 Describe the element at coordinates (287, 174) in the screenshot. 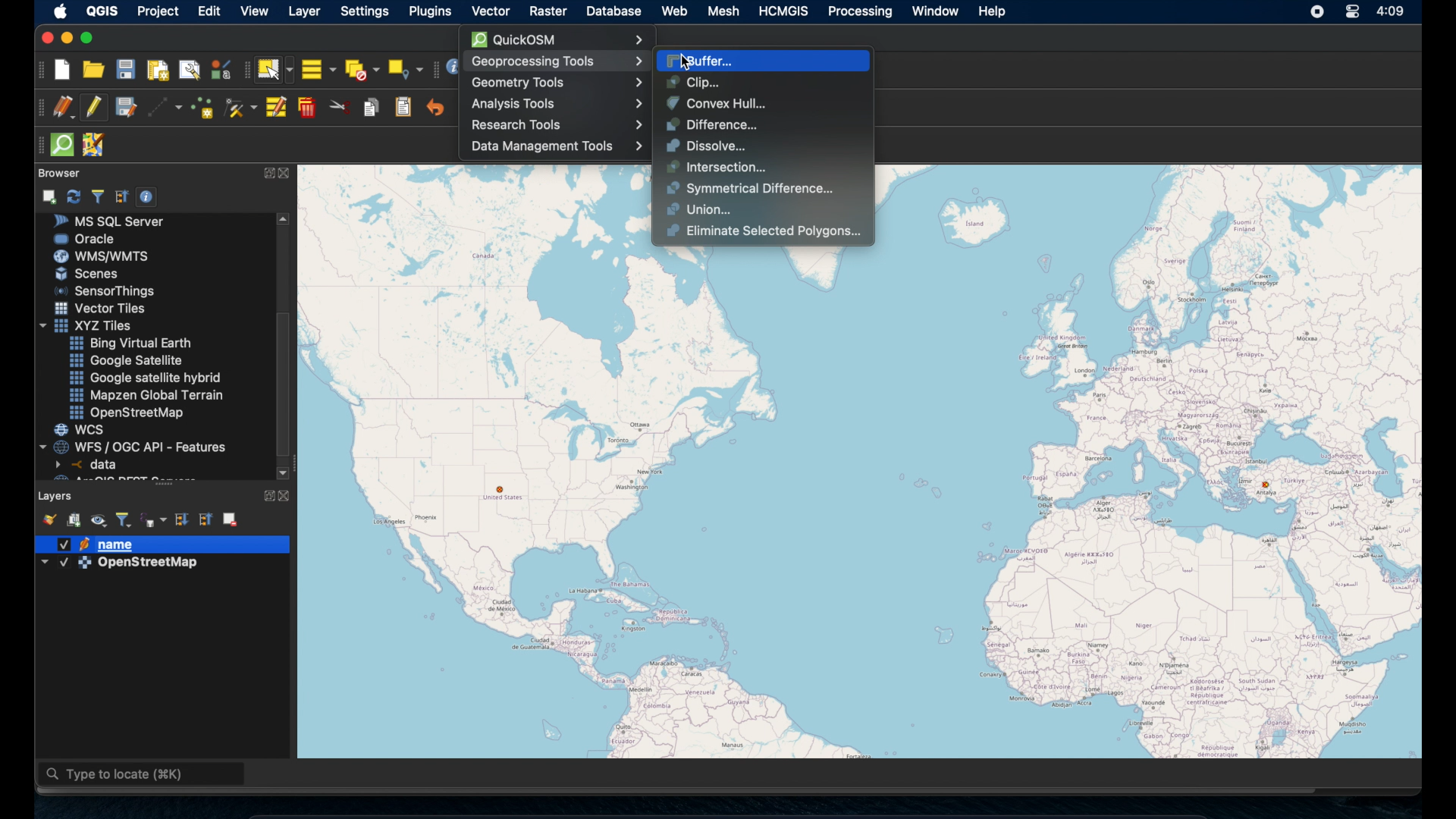

I see `close` at that location.